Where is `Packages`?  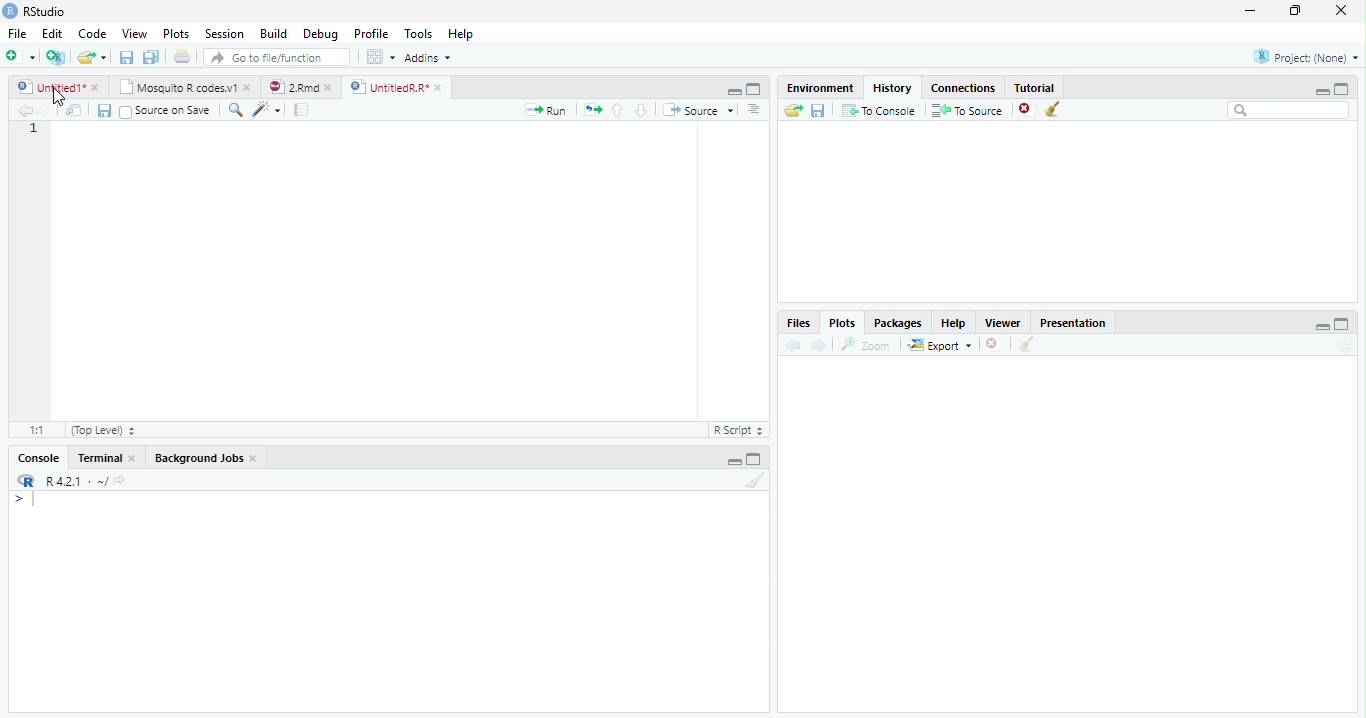
Packages is located at coordinates (900, 323).